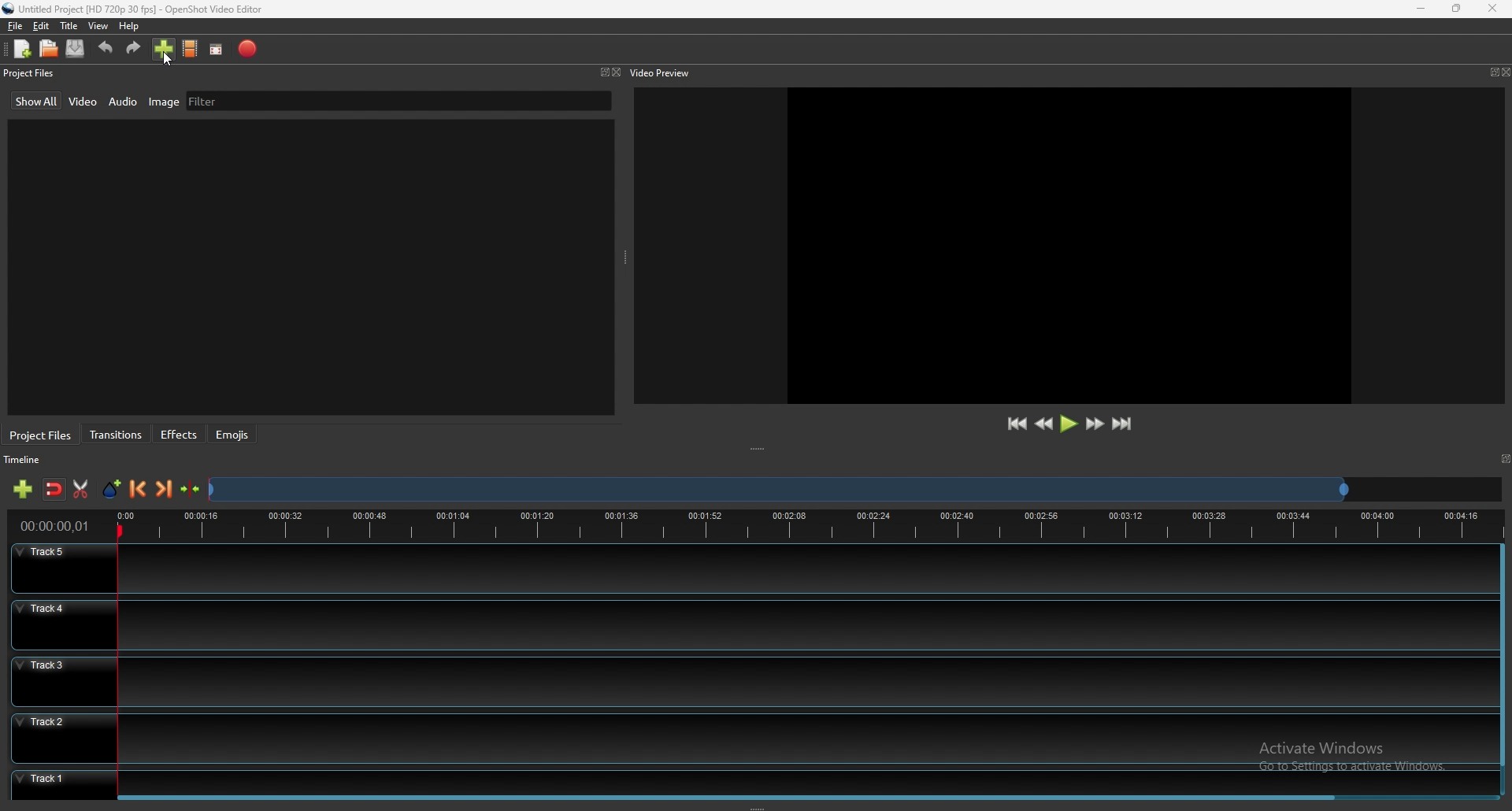 This screenshot has height=811, width=1512. What do you see at coordinates (232, 434) in the screenshot?
I see `emojis` at bounding box center [232, 434].